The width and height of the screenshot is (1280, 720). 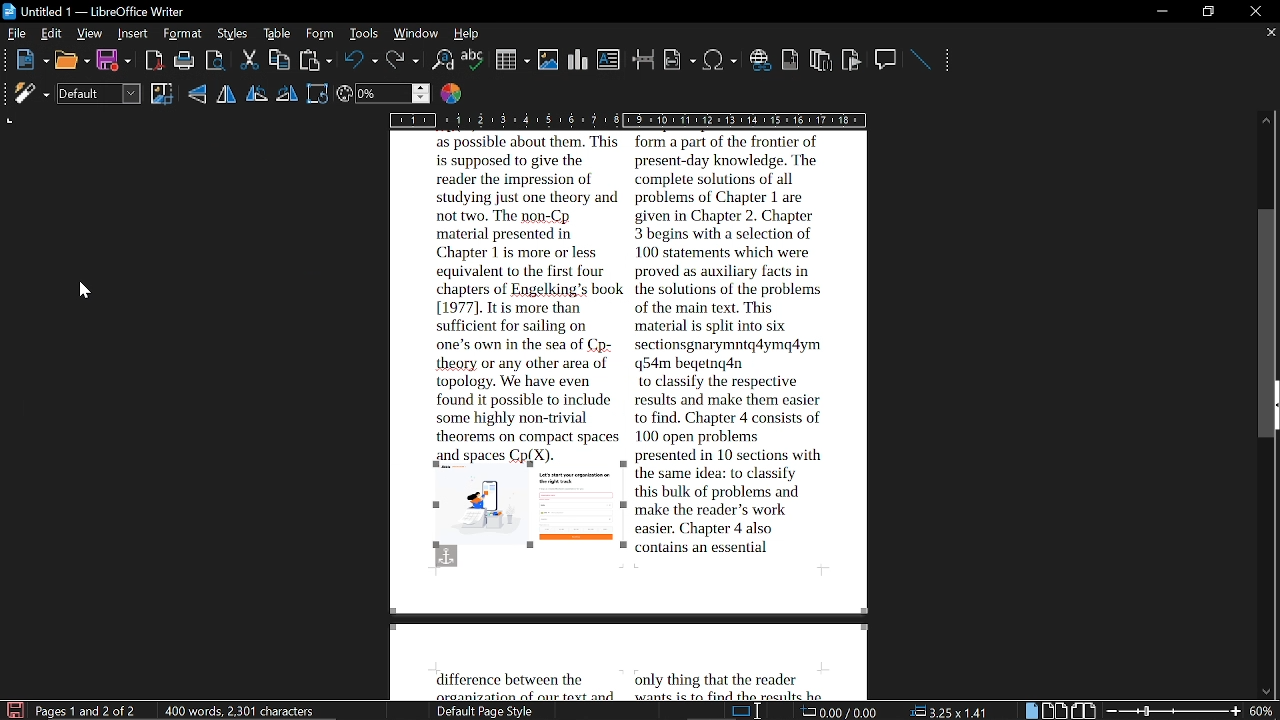 I want to click on transparency, so click(x=382, y=94).